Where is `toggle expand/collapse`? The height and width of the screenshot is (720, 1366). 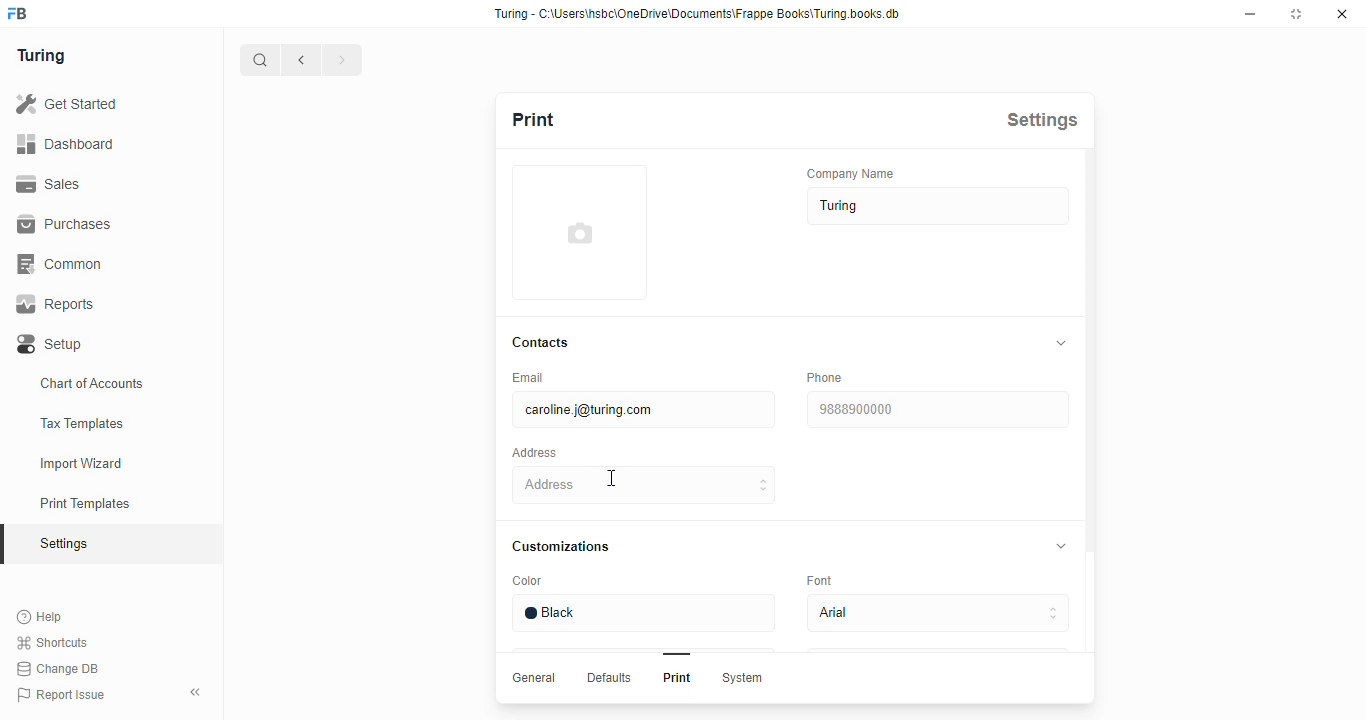
toggle expand/collapse is located at coordinates (1062, 343).